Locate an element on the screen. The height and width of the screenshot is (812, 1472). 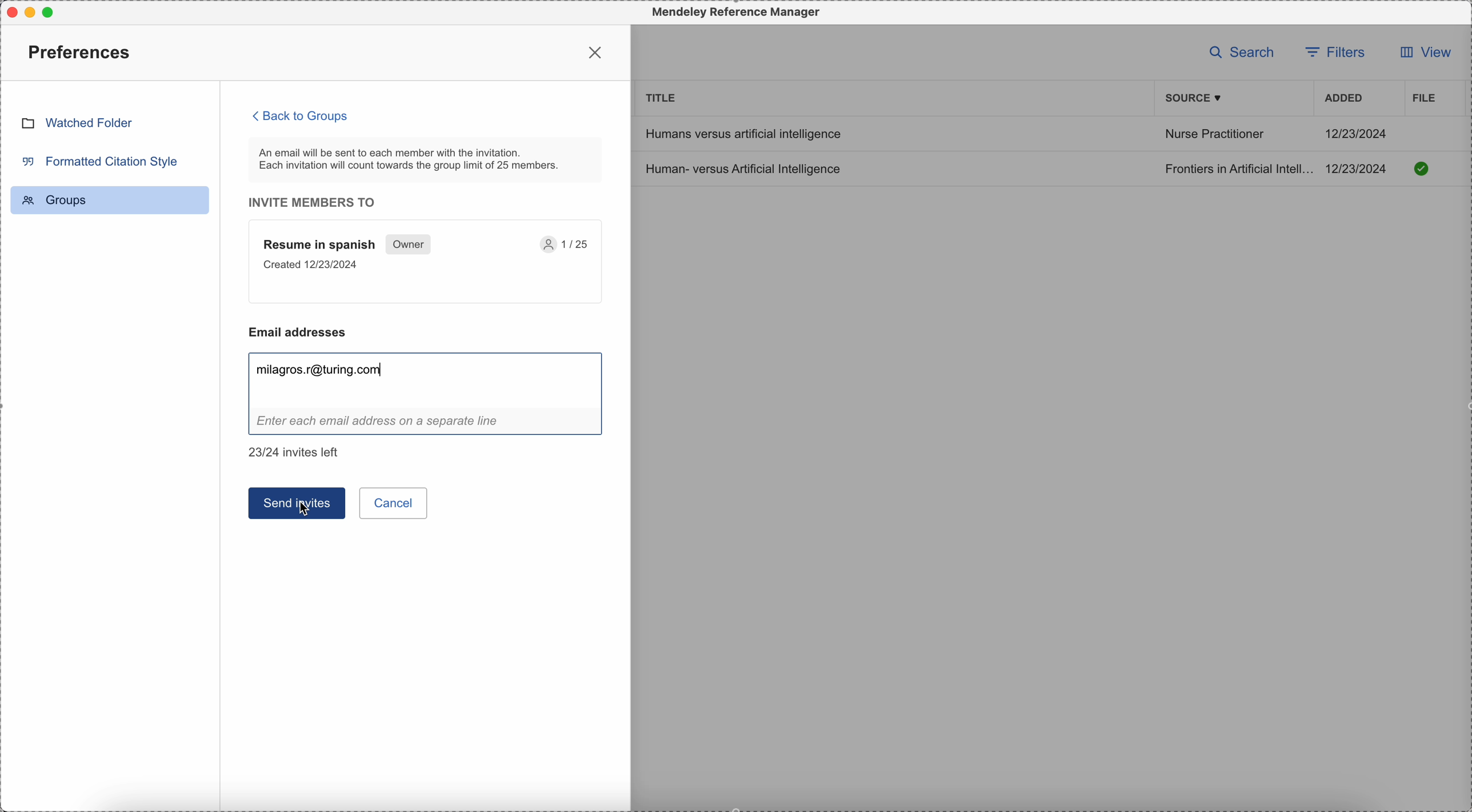
Checkmark is located at coordinates (1422, 168).